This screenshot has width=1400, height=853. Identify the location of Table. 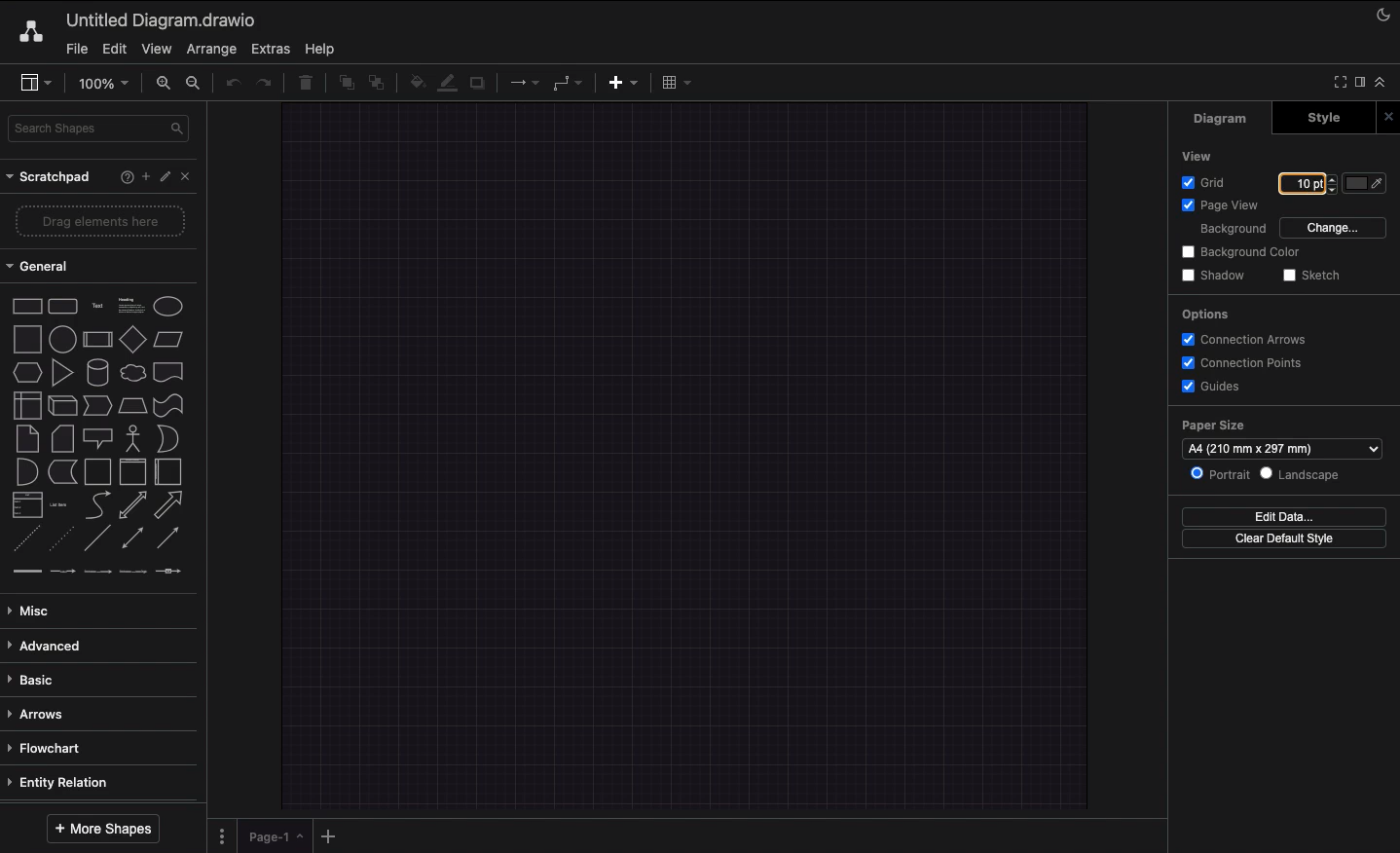
(678, 82).